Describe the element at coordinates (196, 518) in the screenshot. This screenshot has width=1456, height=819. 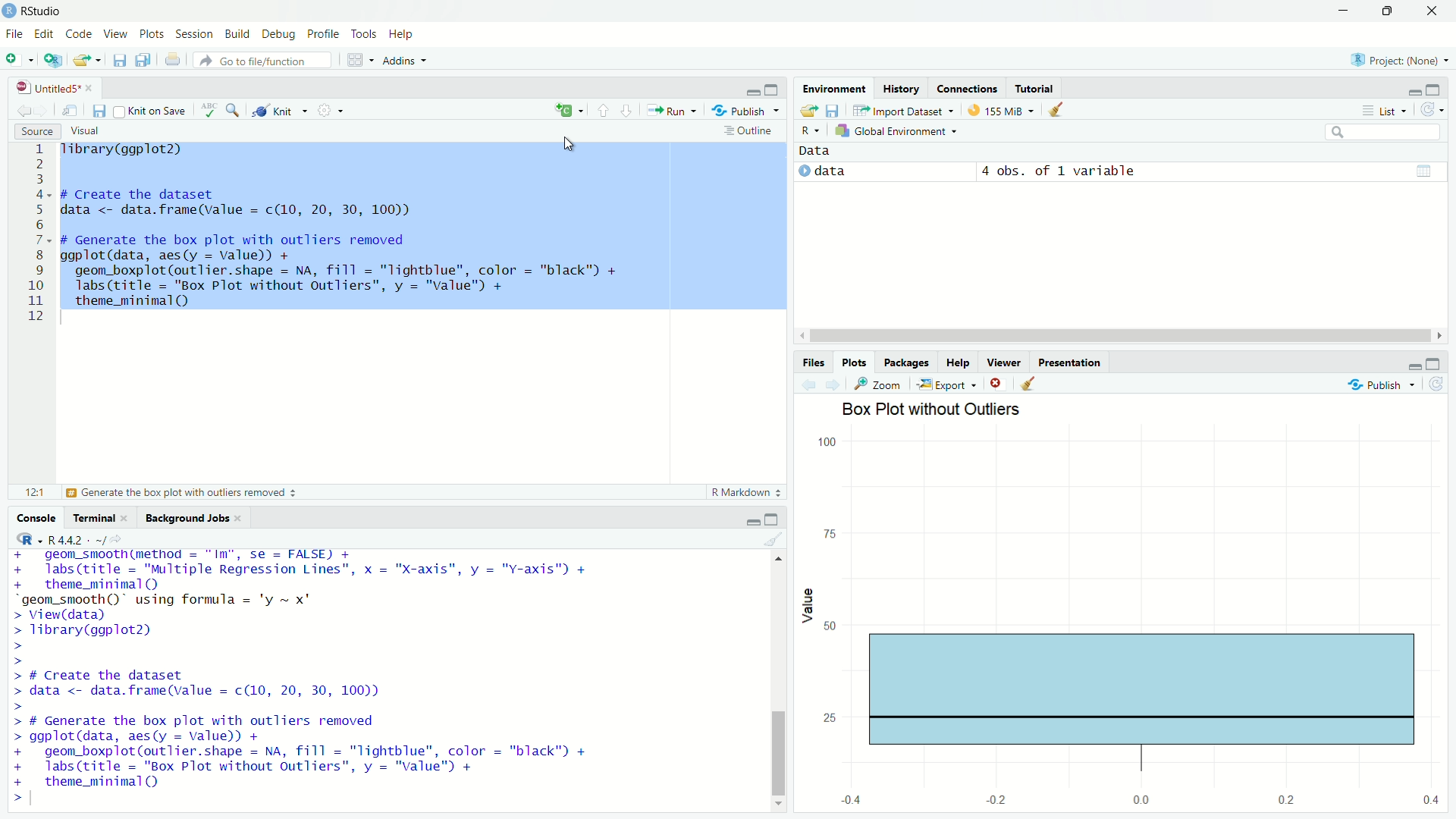
I see `Background Jobs` at that location.